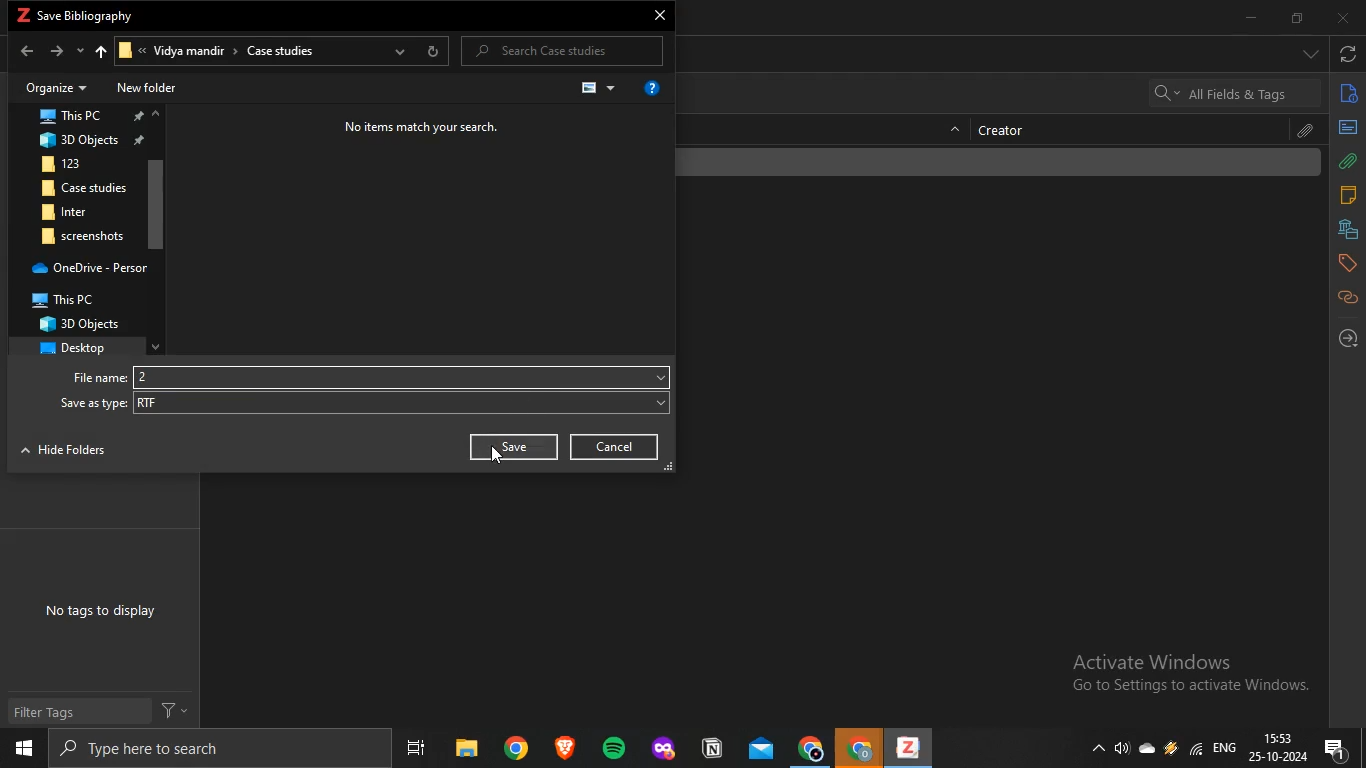  I want to click on 123, so click(79, 166).